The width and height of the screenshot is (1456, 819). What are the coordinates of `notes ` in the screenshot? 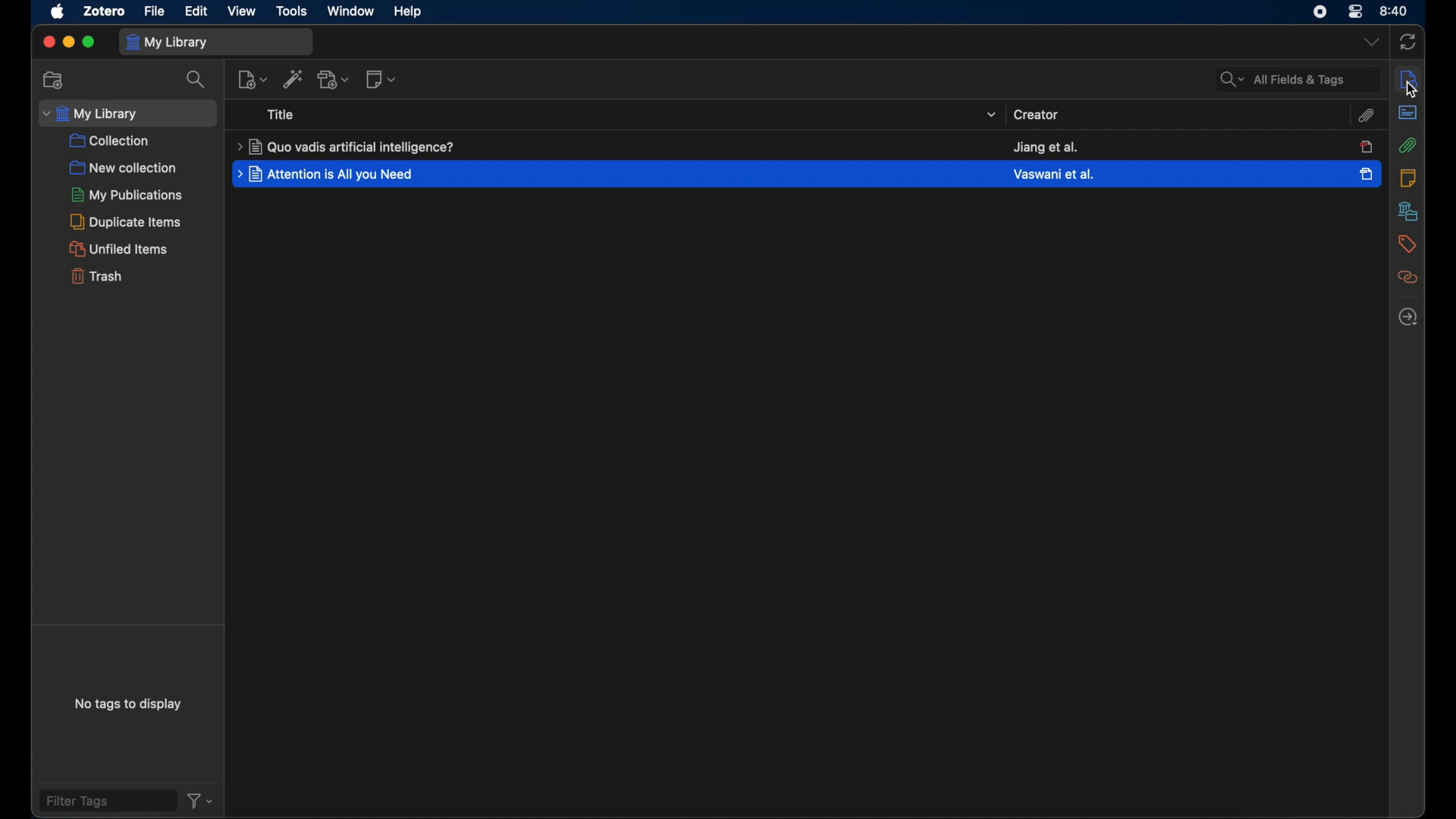 It's located at (1410, 179).